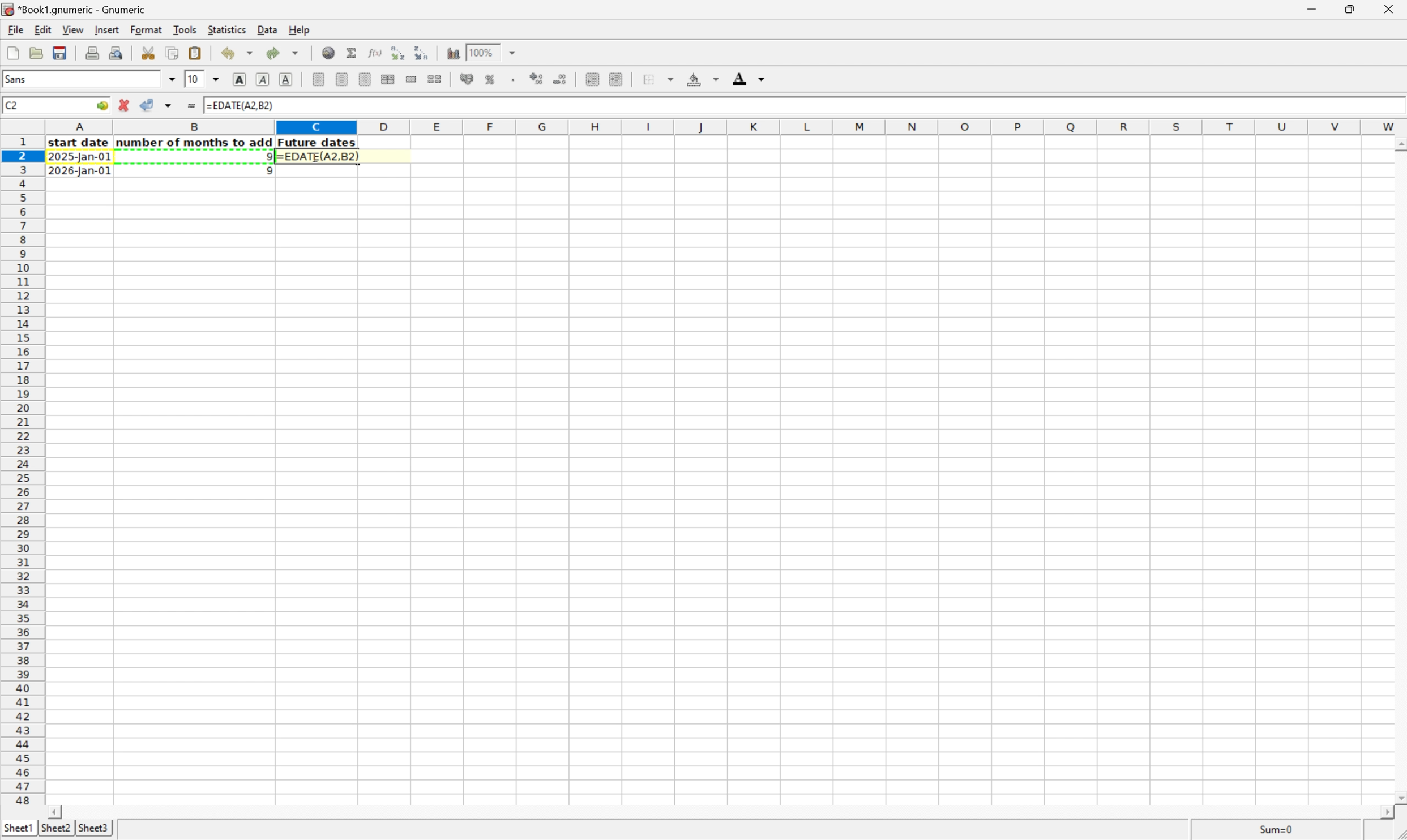 The width and height of the screenshot is (1407, 840). I want to click on Data, so click(267, 29).